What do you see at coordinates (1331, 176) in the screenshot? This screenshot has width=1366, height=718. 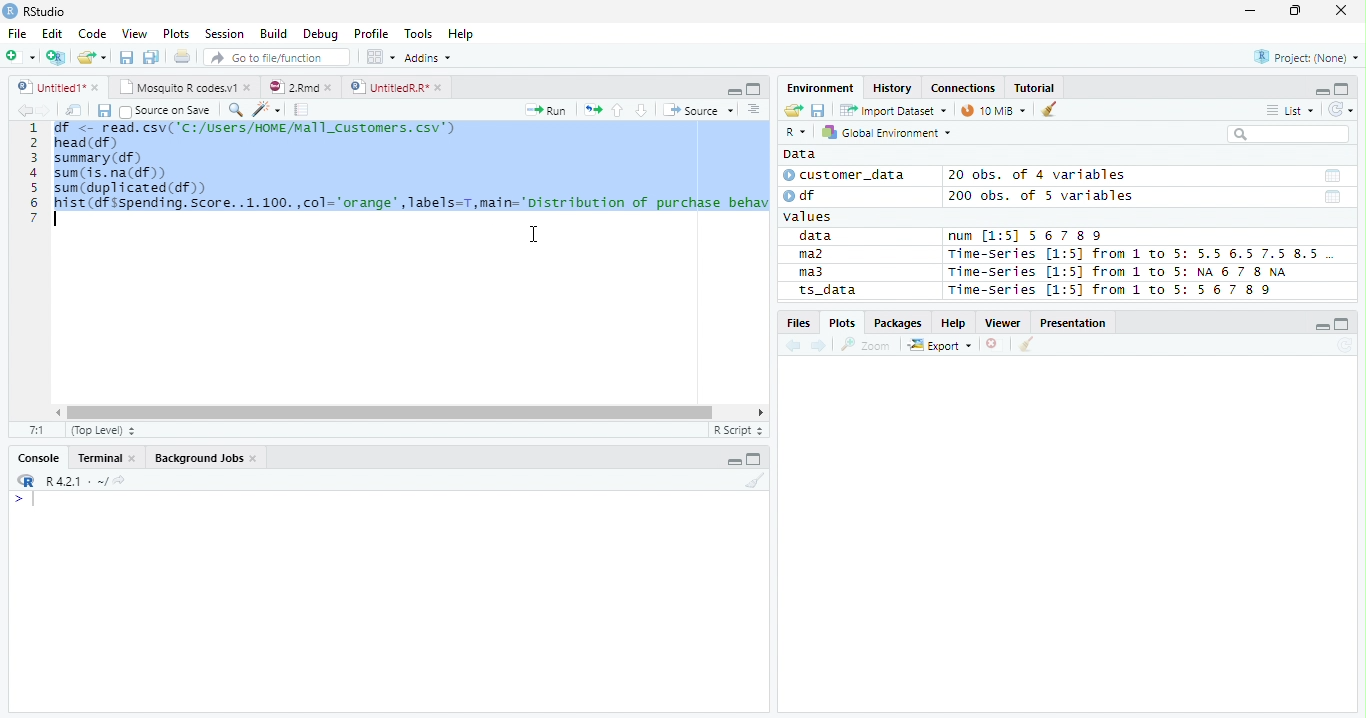 I see `Date` at bounding box center [1331, 176].